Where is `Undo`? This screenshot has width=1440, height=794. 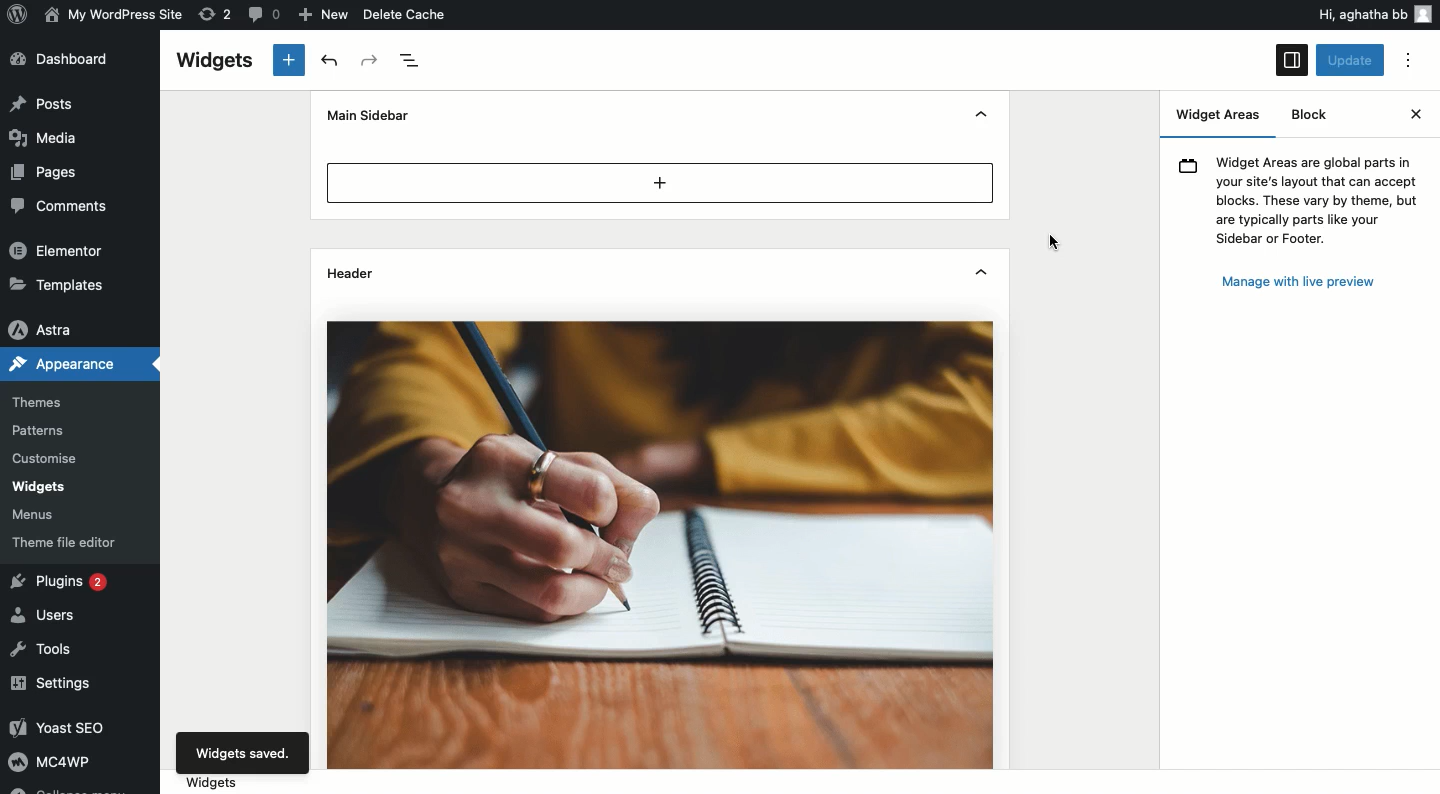 Undo is located at coordinates (333, 61).